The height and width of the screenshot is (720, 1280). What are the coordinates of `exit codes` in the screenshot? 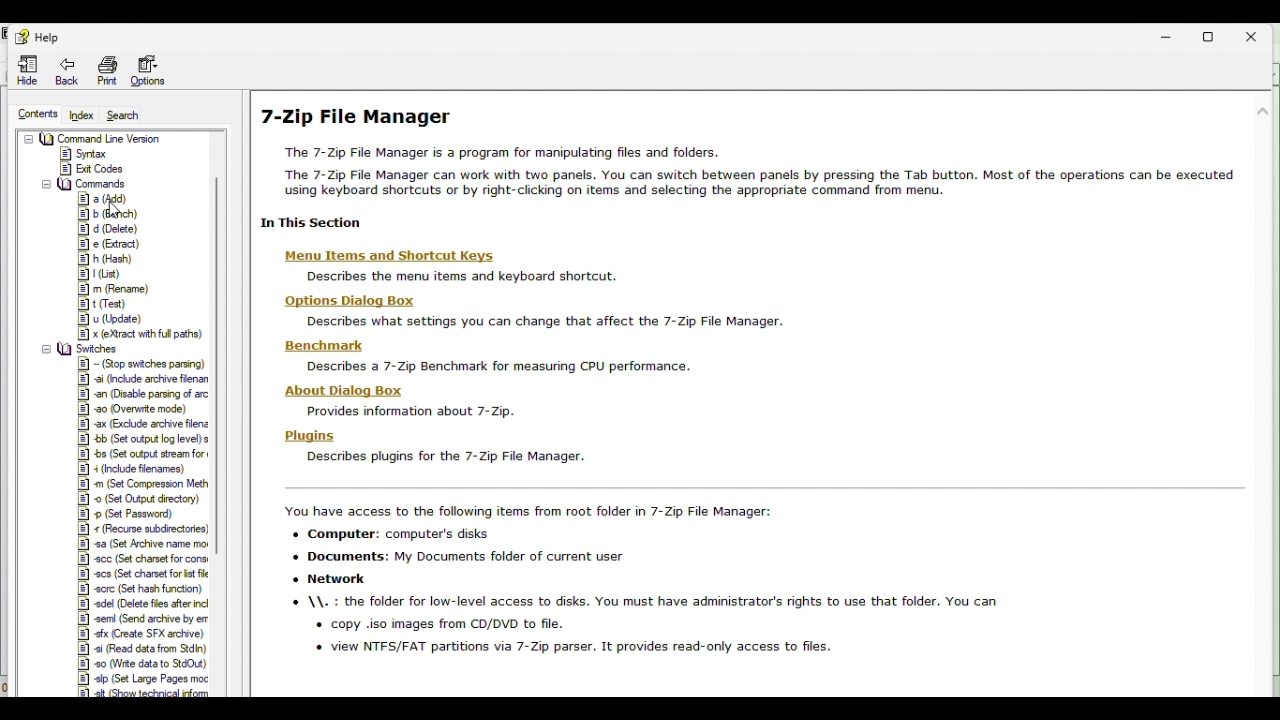 It's located at (91, 168).